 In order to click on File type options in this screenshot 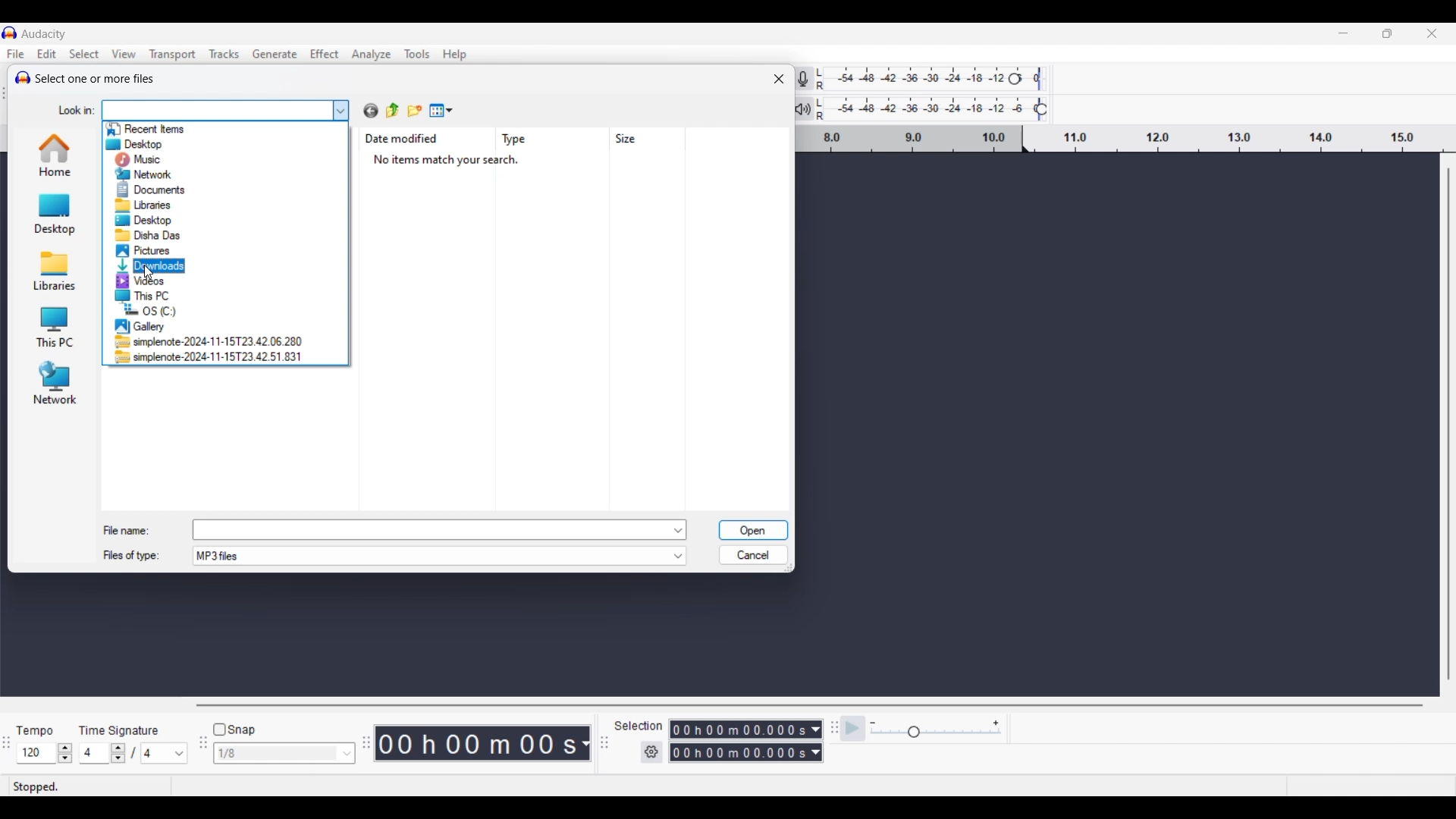, I will do `click(678, 557)`.